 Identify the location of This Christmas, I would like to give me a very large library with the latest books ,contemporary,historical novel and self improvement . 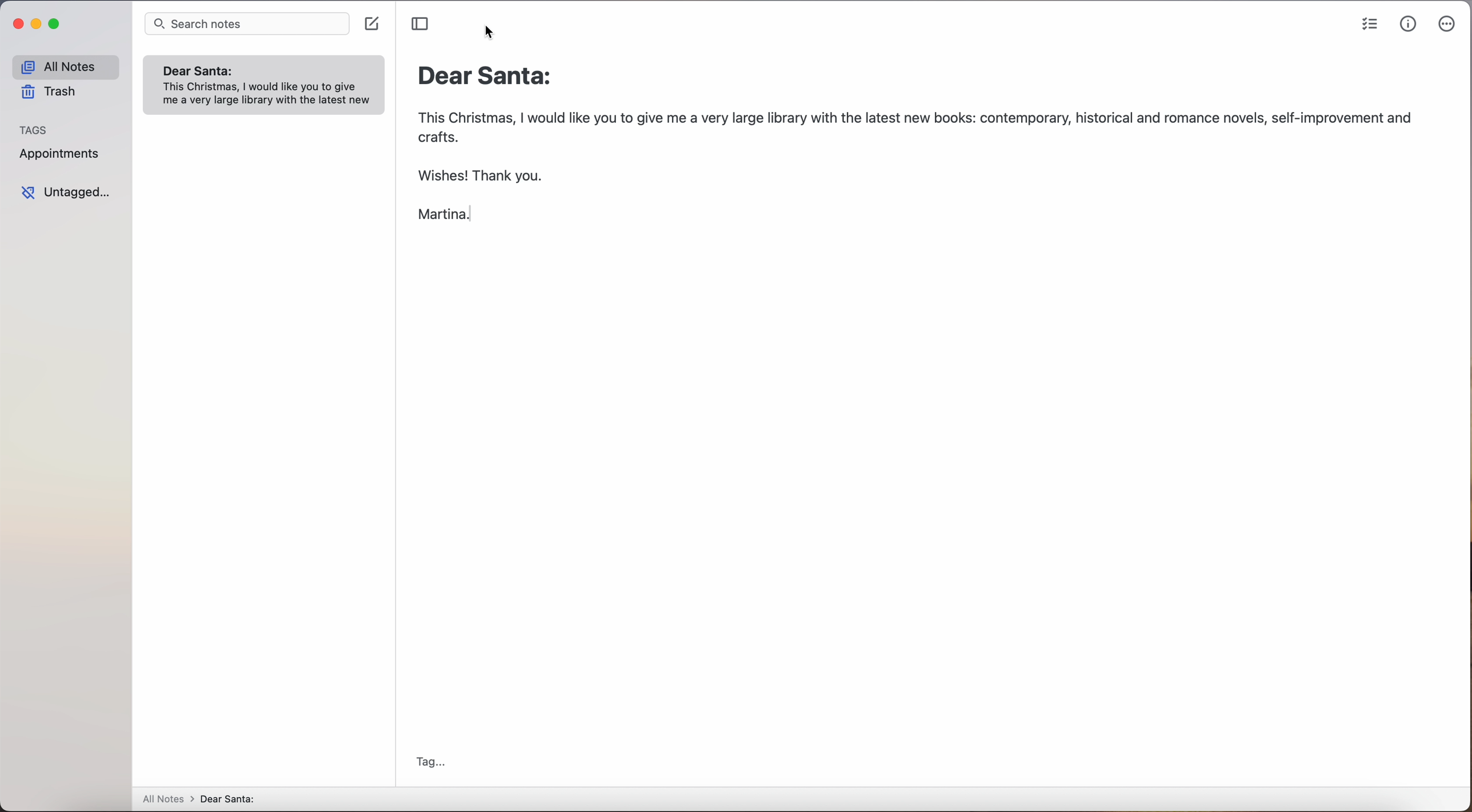
(913, 168).